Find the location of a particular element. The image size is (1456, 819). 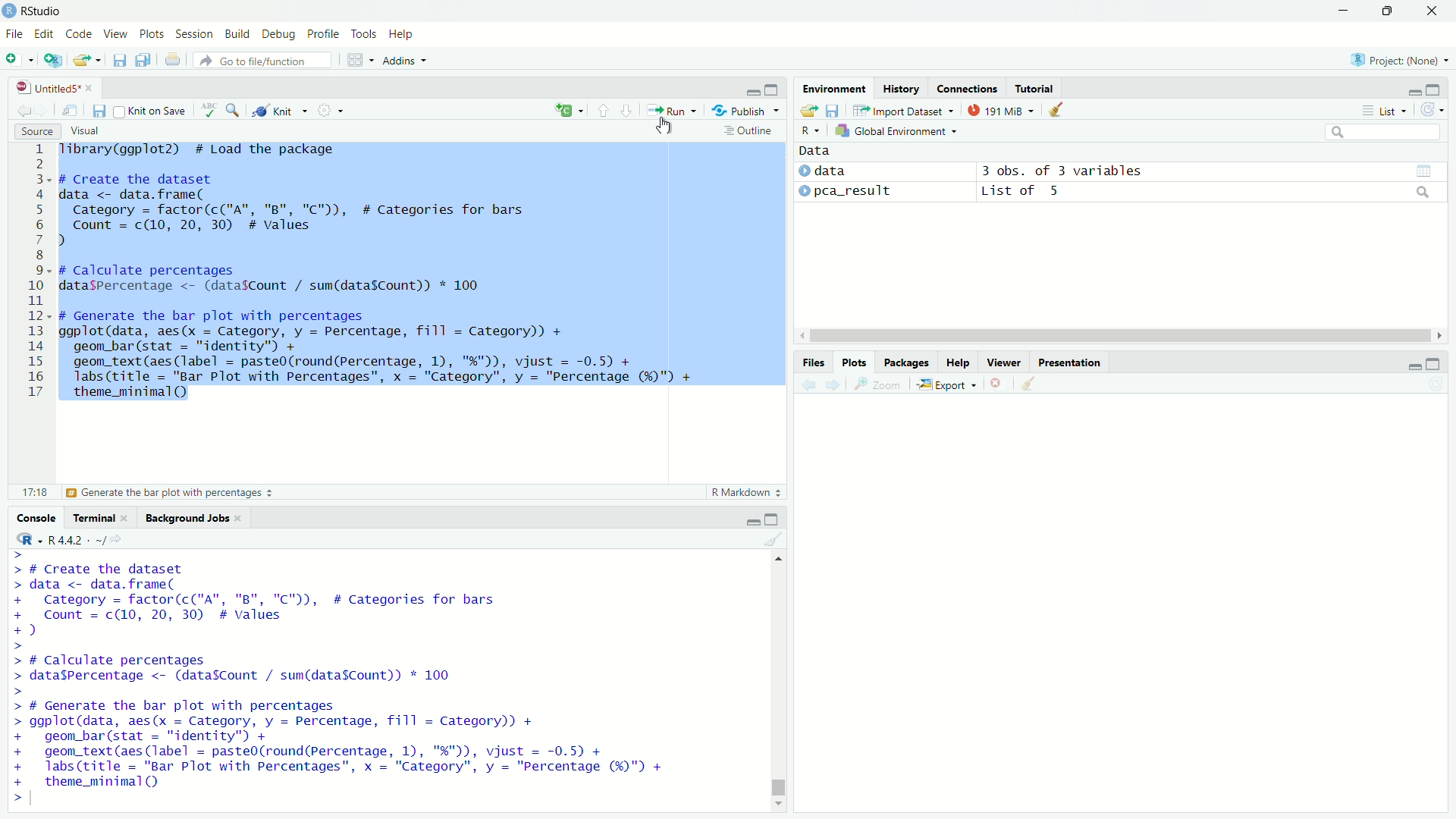

maximize is located at coordinates (776, 518).